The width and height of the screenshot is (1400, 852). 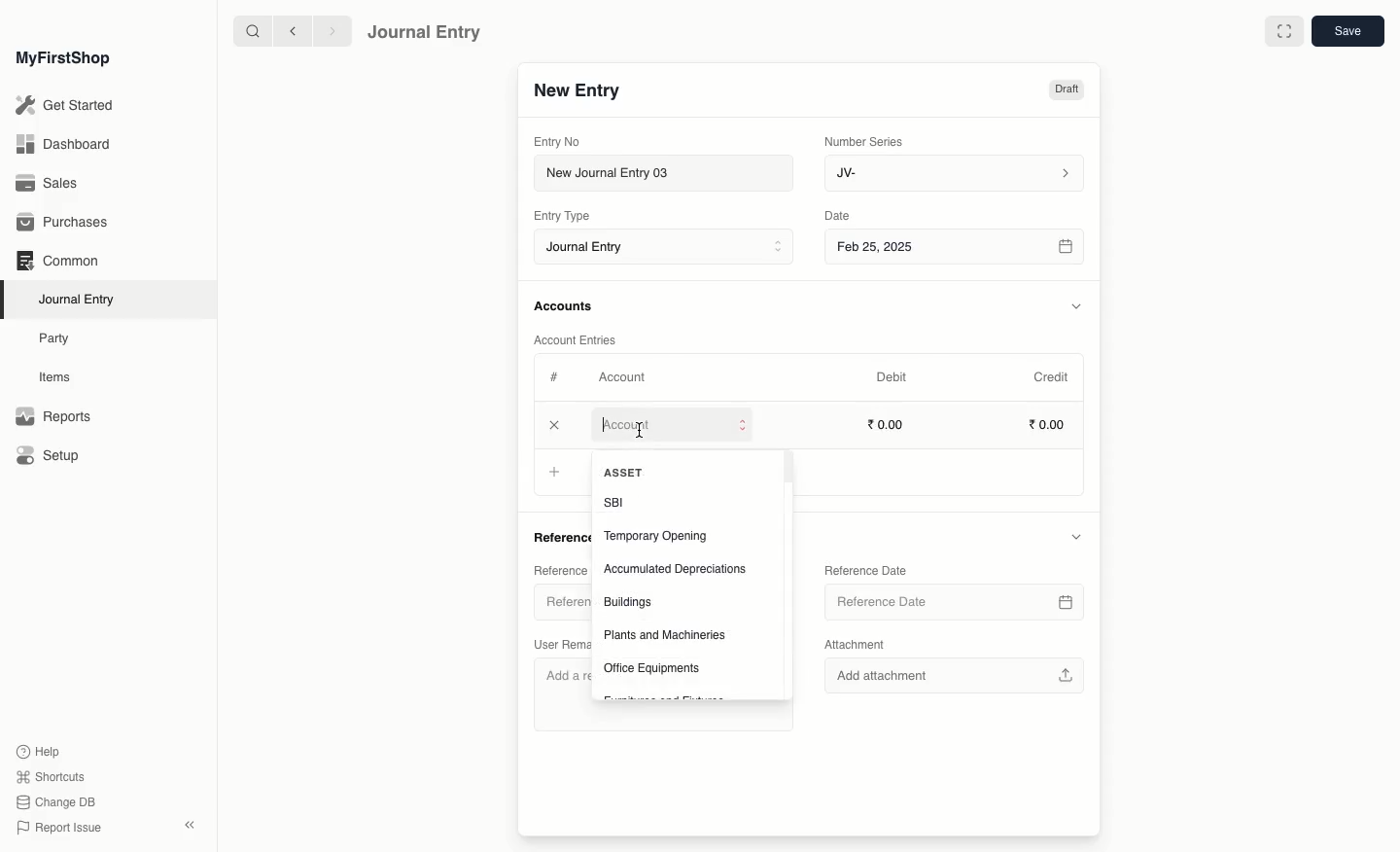 I want to click on Feb 25, 2025 8, so click(x=956, y=246).